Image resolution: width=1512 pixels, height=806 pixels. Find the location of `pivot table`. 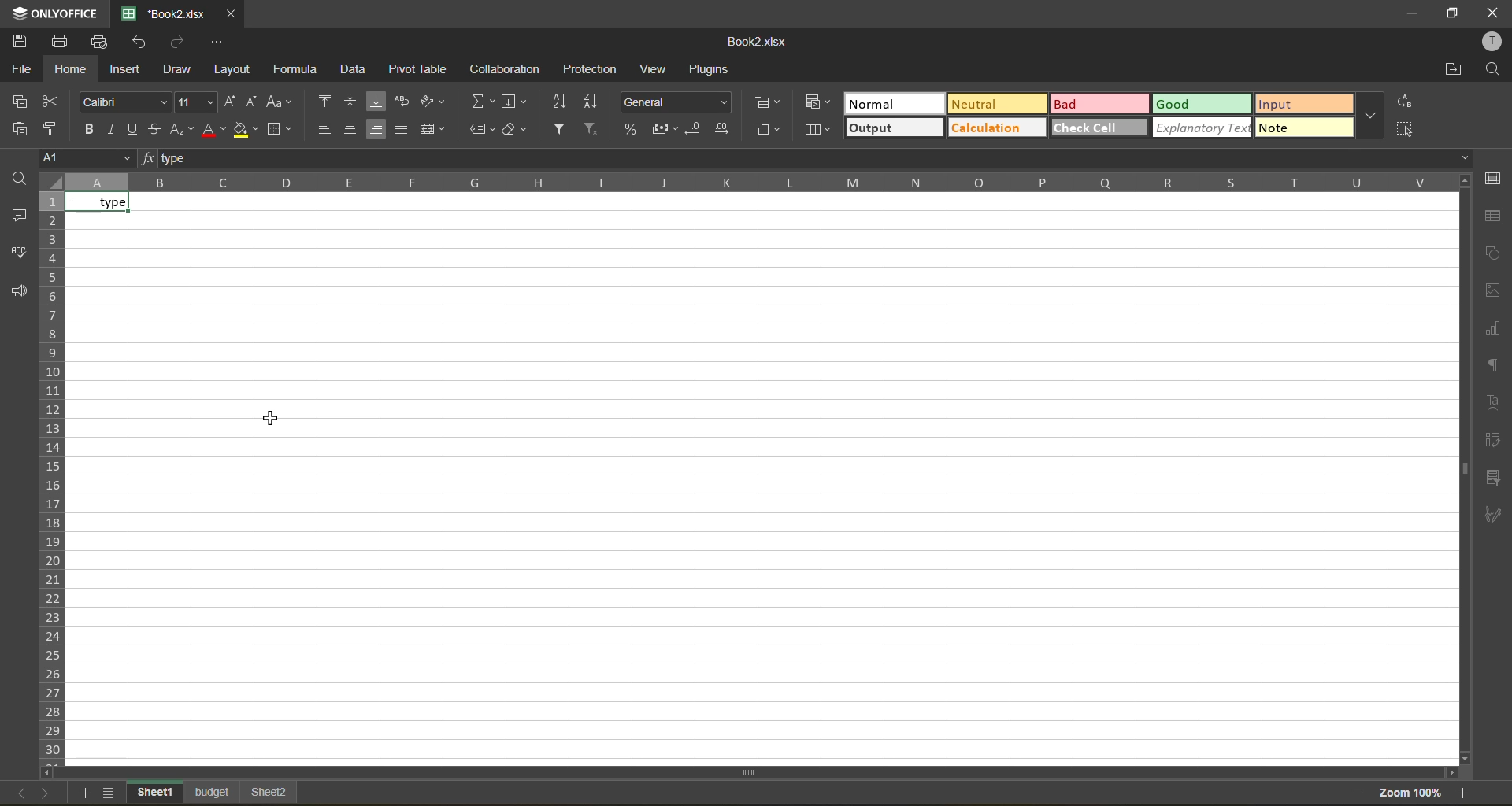

pivot table is located at coordinates (1495, 442).